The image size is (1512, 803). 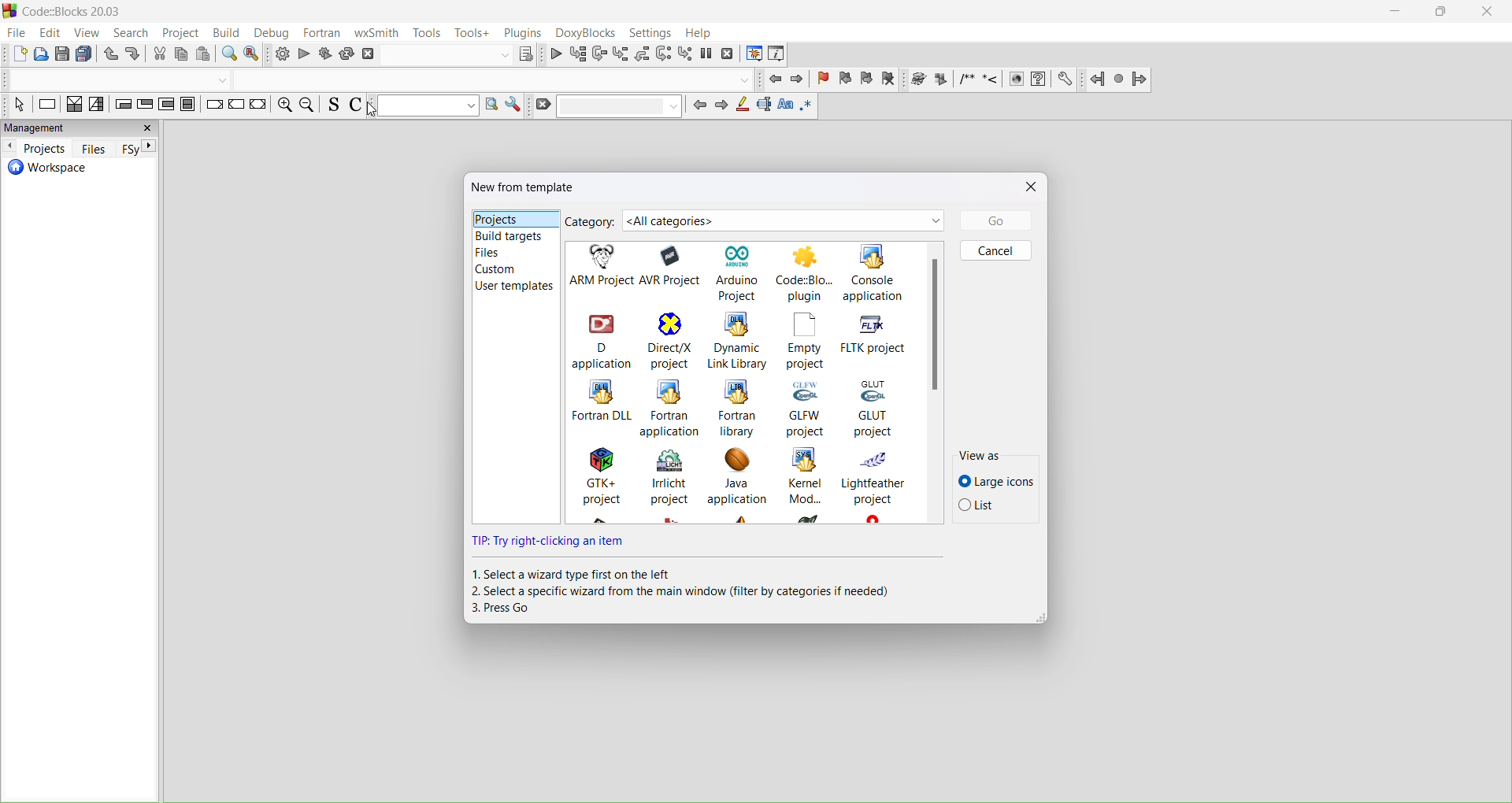 I want to click on go, so click(x=993, y=220).